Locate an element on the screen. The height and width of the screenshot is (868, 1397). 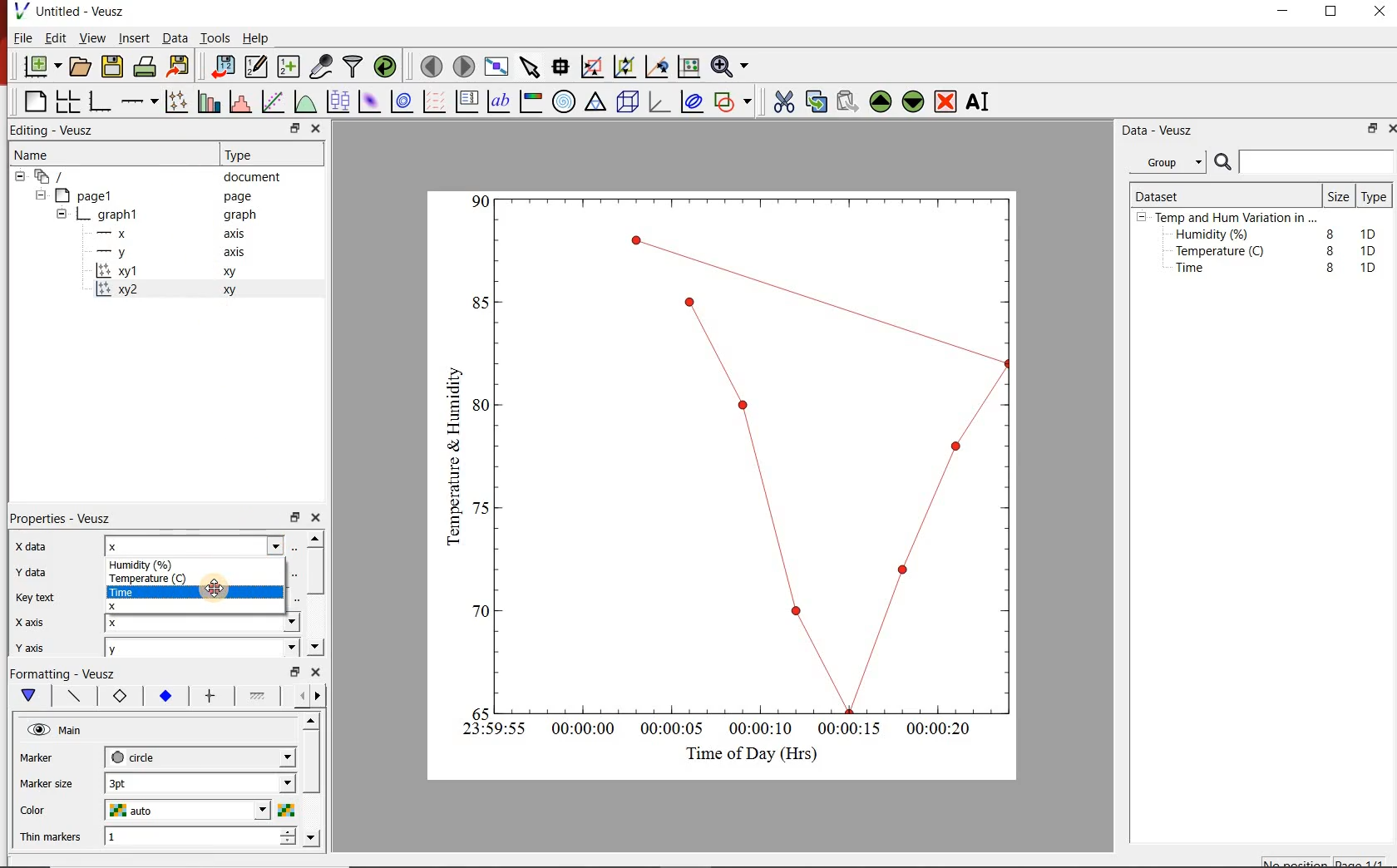
Select using dataset browser is located at coordinates (295, 572).